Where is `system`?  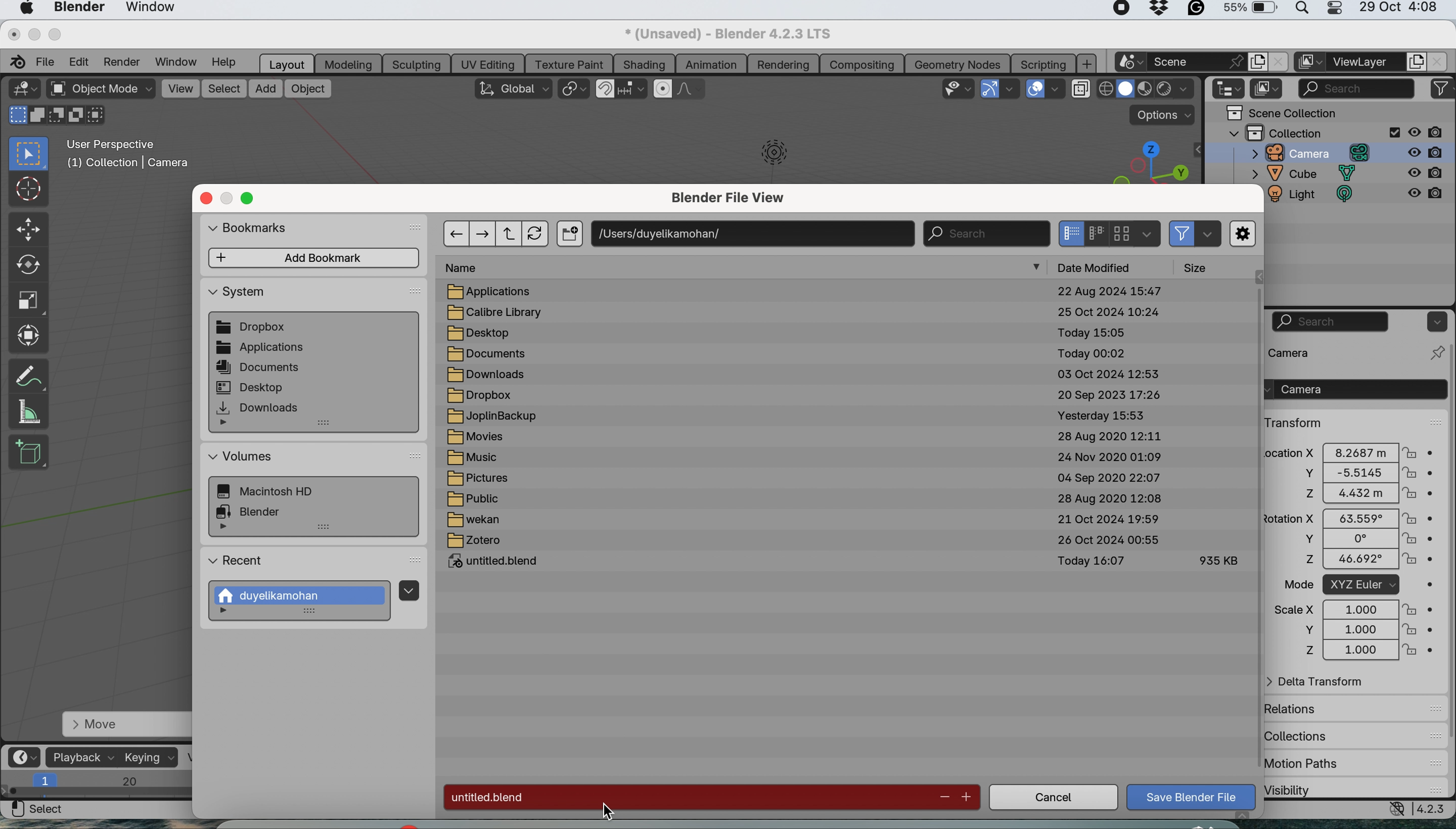 system is located at coordinates (274, 493).